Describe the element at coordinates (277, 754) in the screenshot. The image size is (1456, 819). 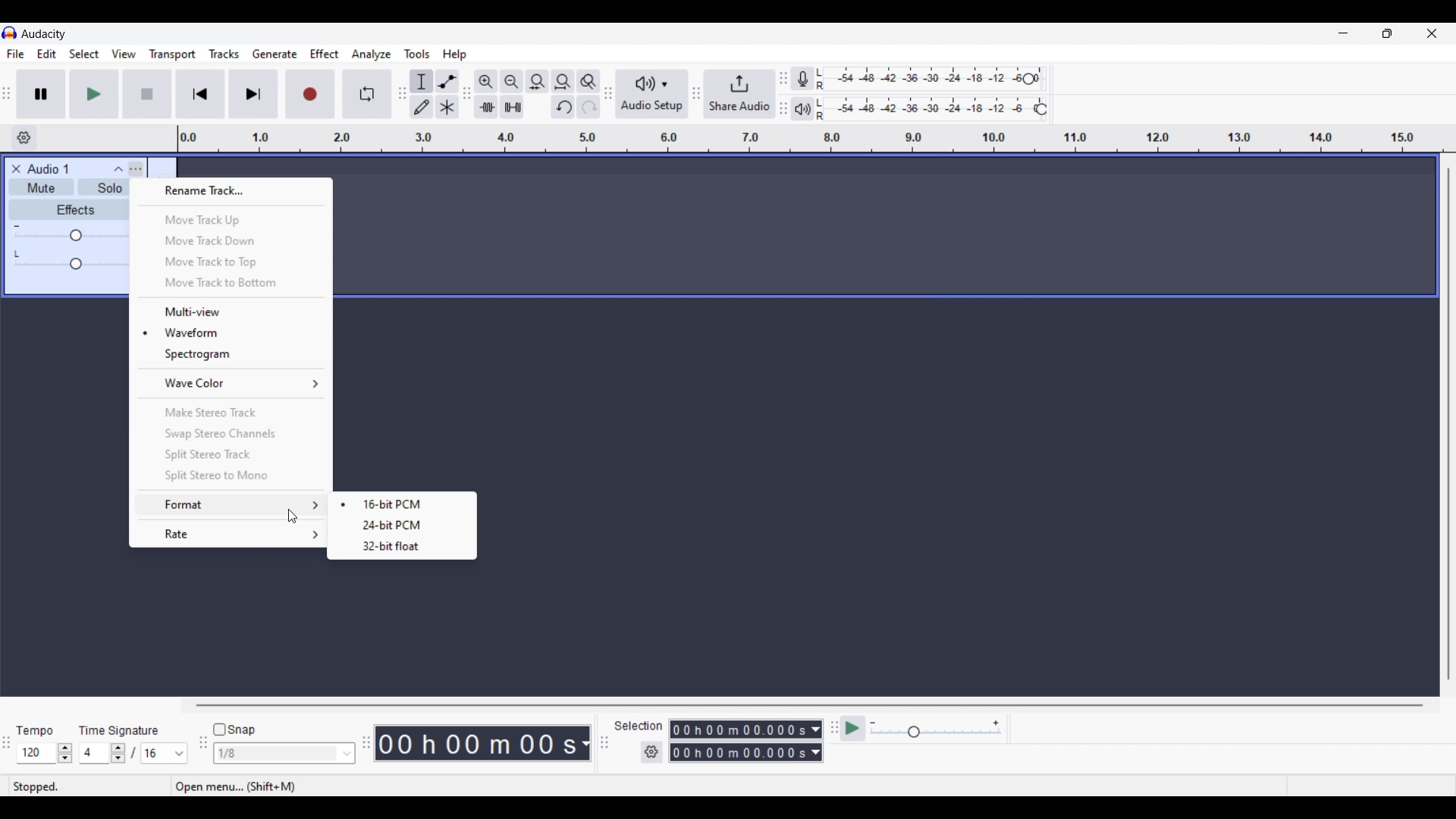
I see `Type in snap input` at that location.